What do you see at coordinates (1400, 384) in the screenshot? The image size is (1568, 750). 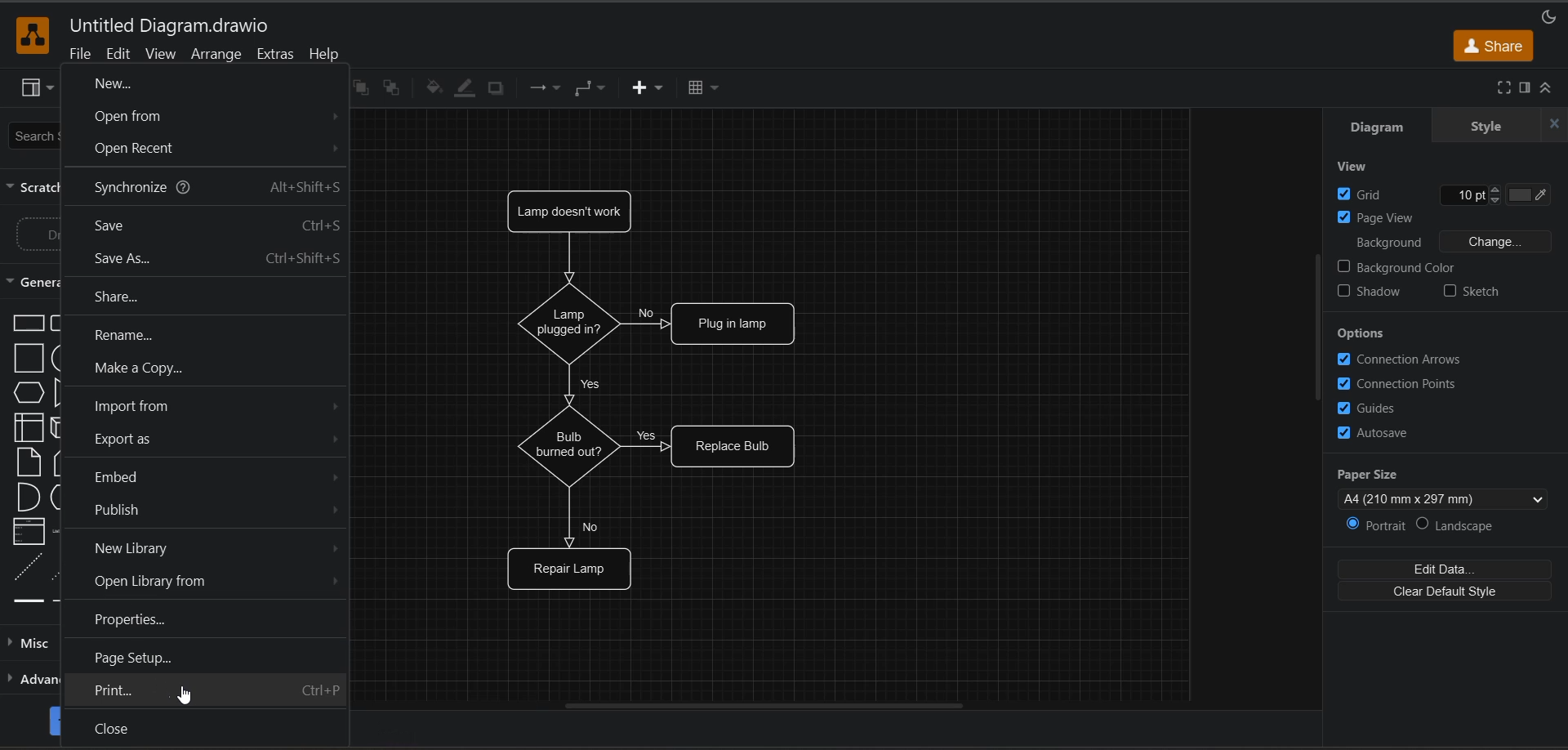 I see `connection points` at bounding box center [1400, 384].